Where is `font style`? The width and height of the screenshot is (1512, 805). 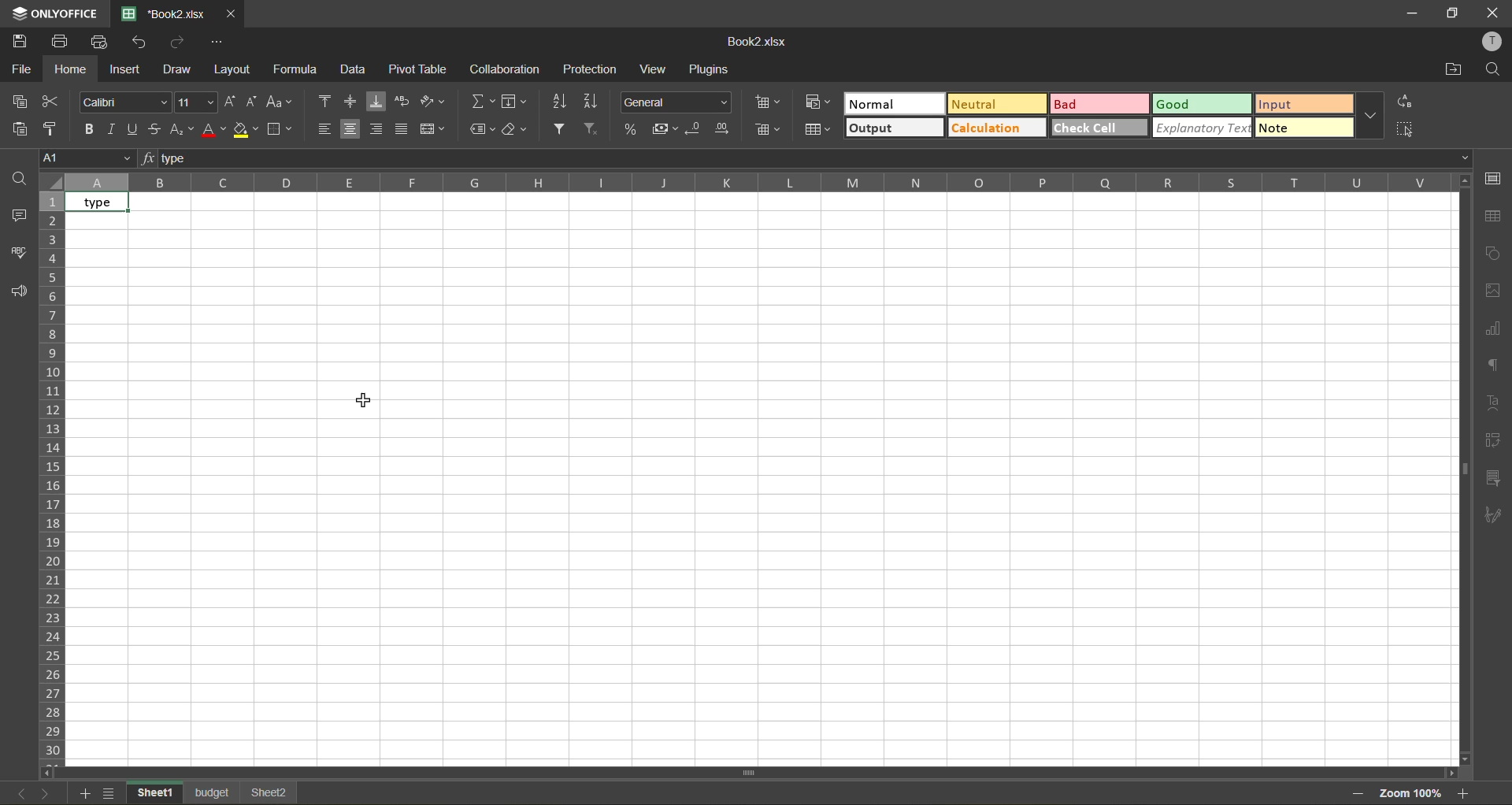 font style is located at coordinates (122, 102).